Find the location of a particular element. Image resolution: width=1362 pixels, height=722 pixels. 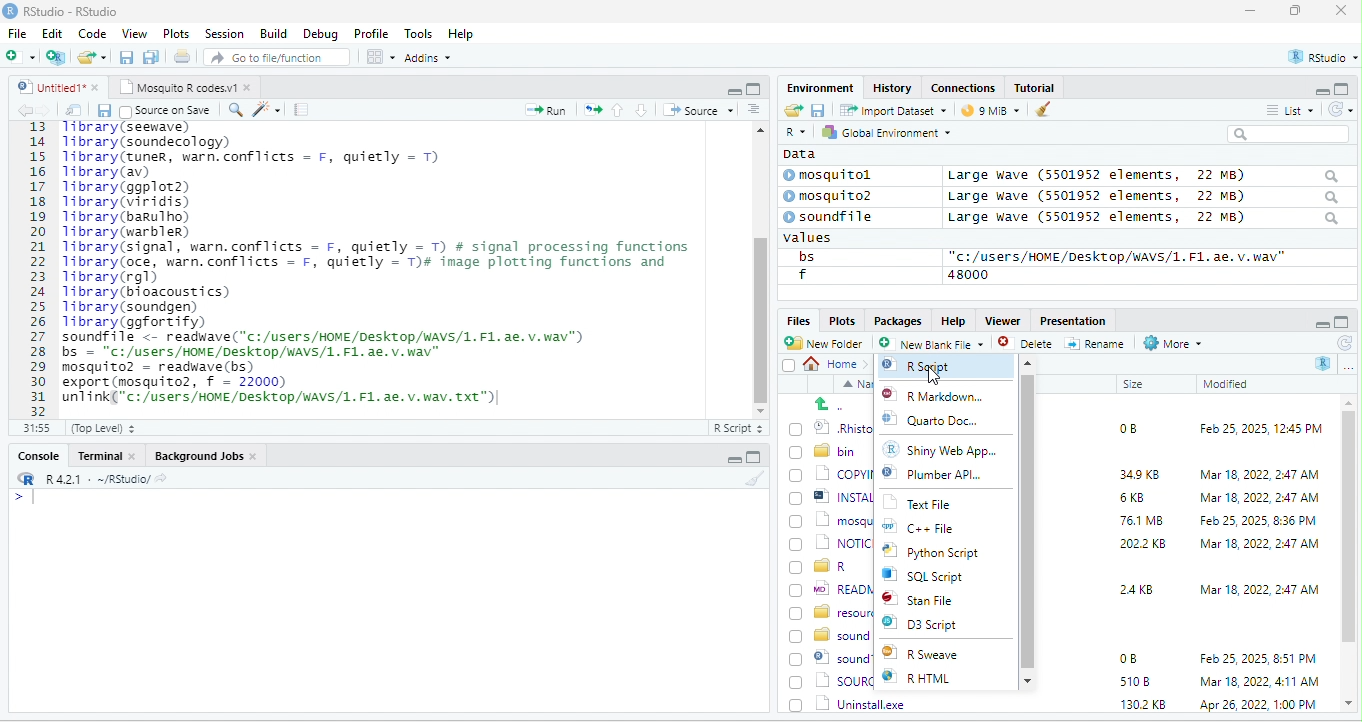

sort is located at coordinates (753, 108).